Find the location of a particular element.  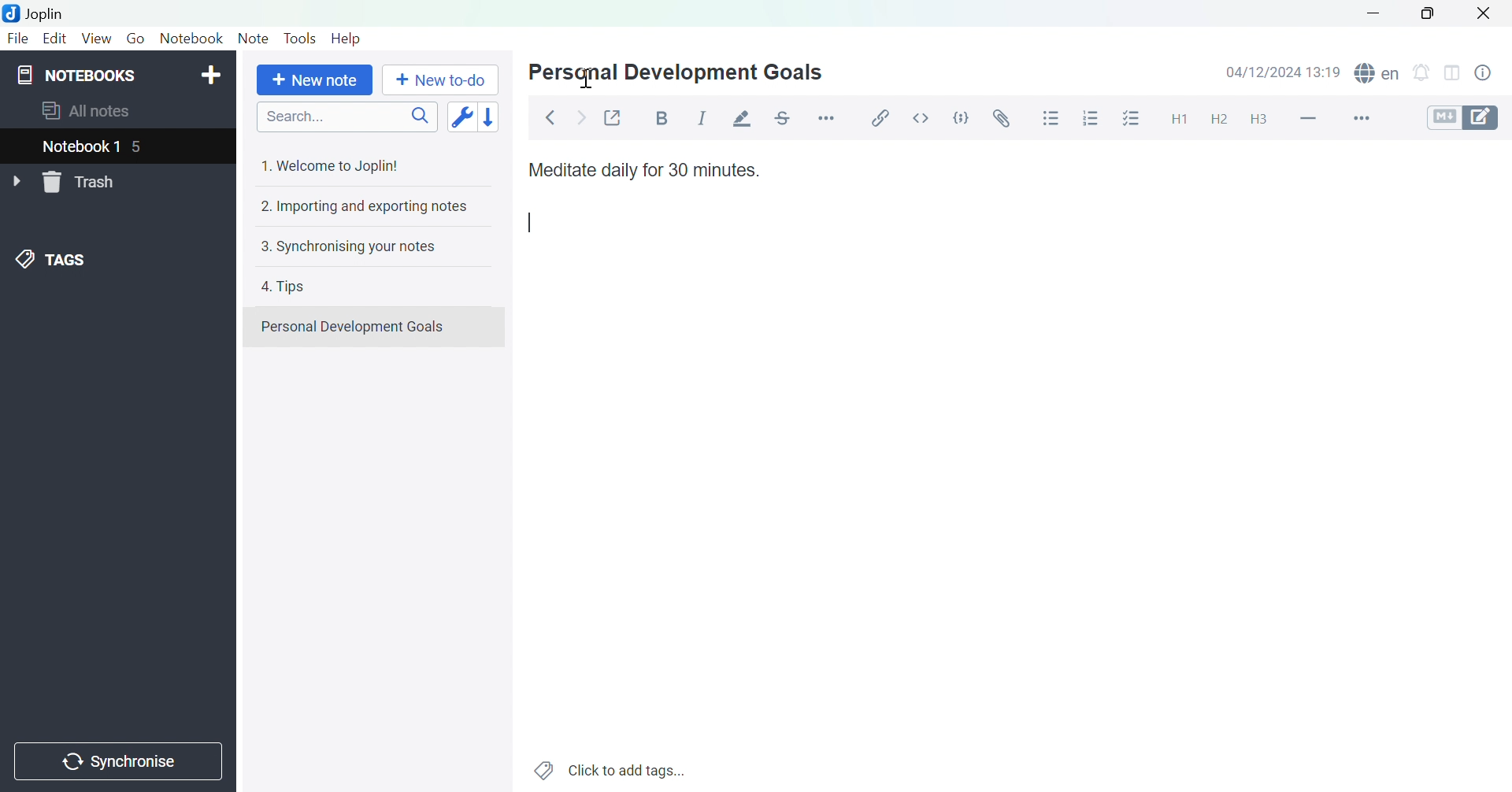

Code is located at coordinates (960, 116).